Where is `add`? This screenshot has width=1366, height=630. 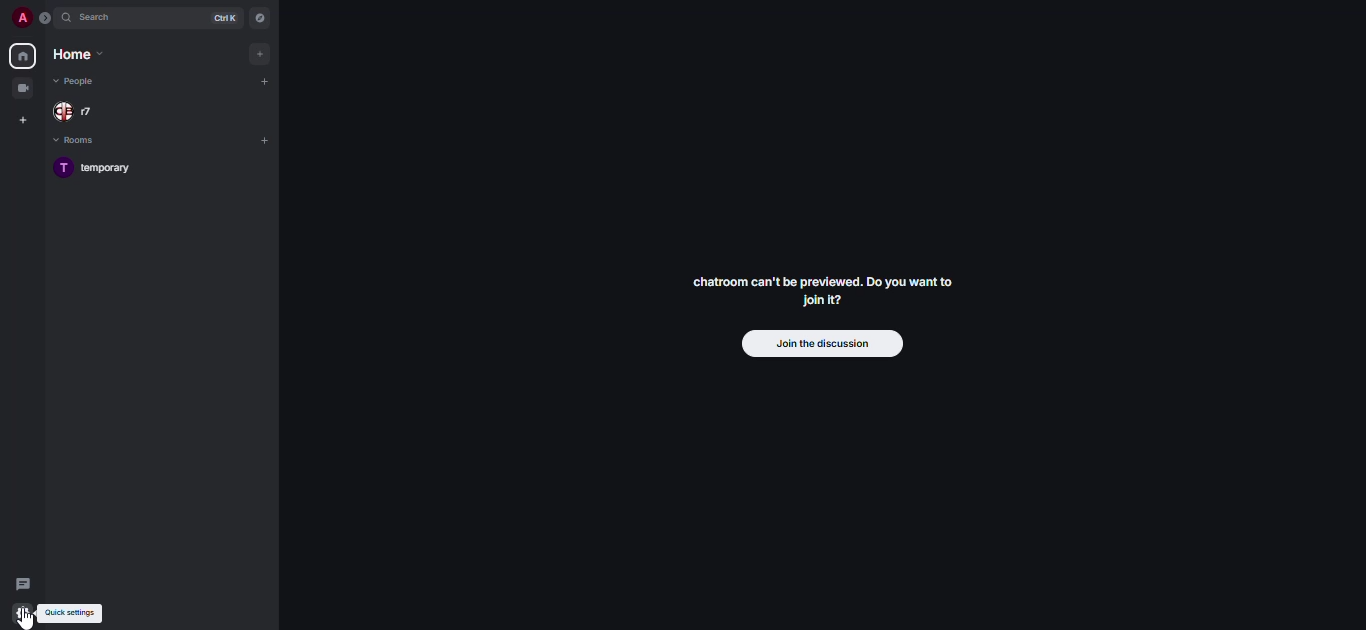
add is located at coordinates (263, 140).